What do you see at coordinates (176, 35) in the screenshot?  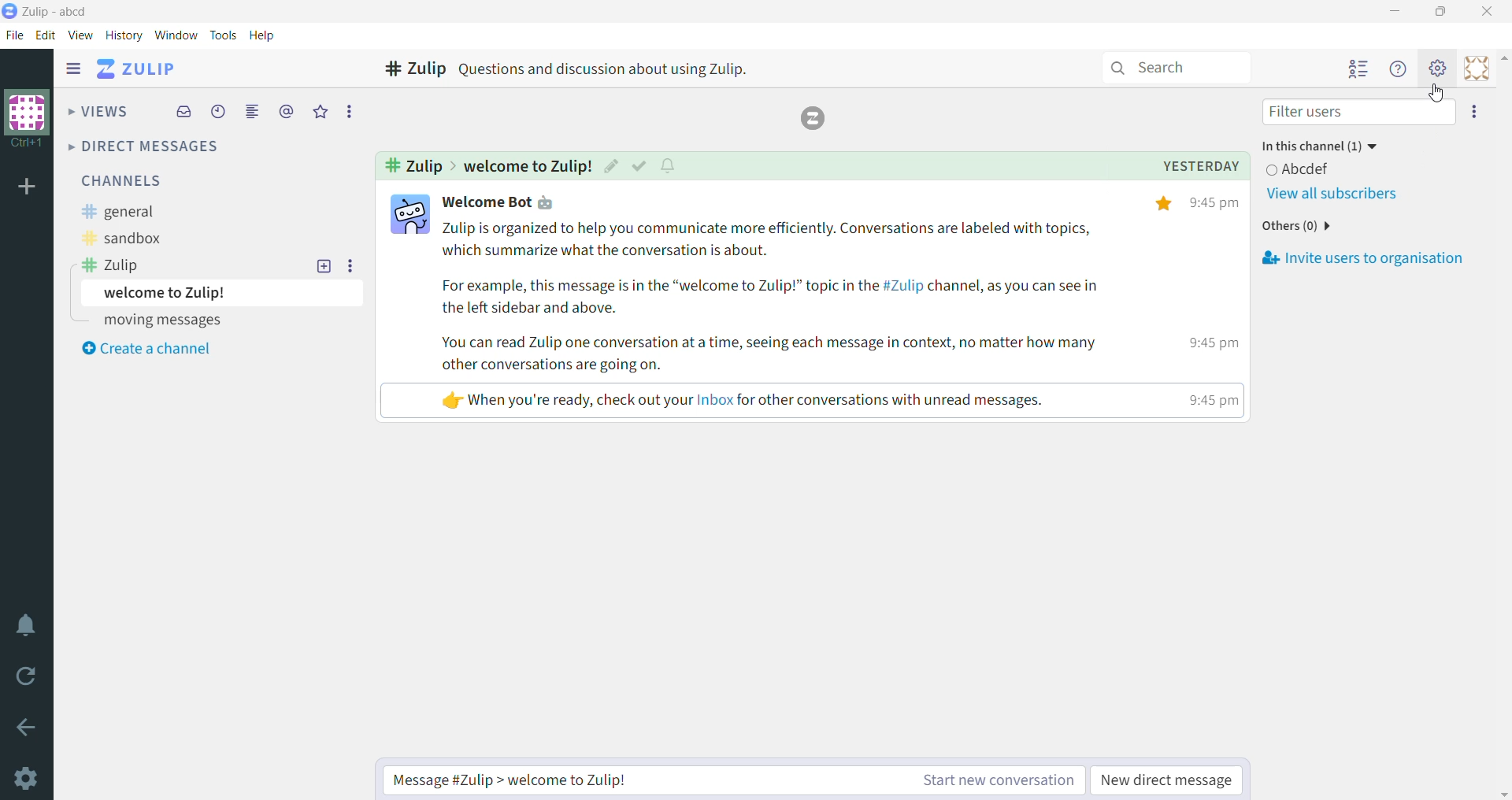 I see `Window` at bounding box center [176, 35].